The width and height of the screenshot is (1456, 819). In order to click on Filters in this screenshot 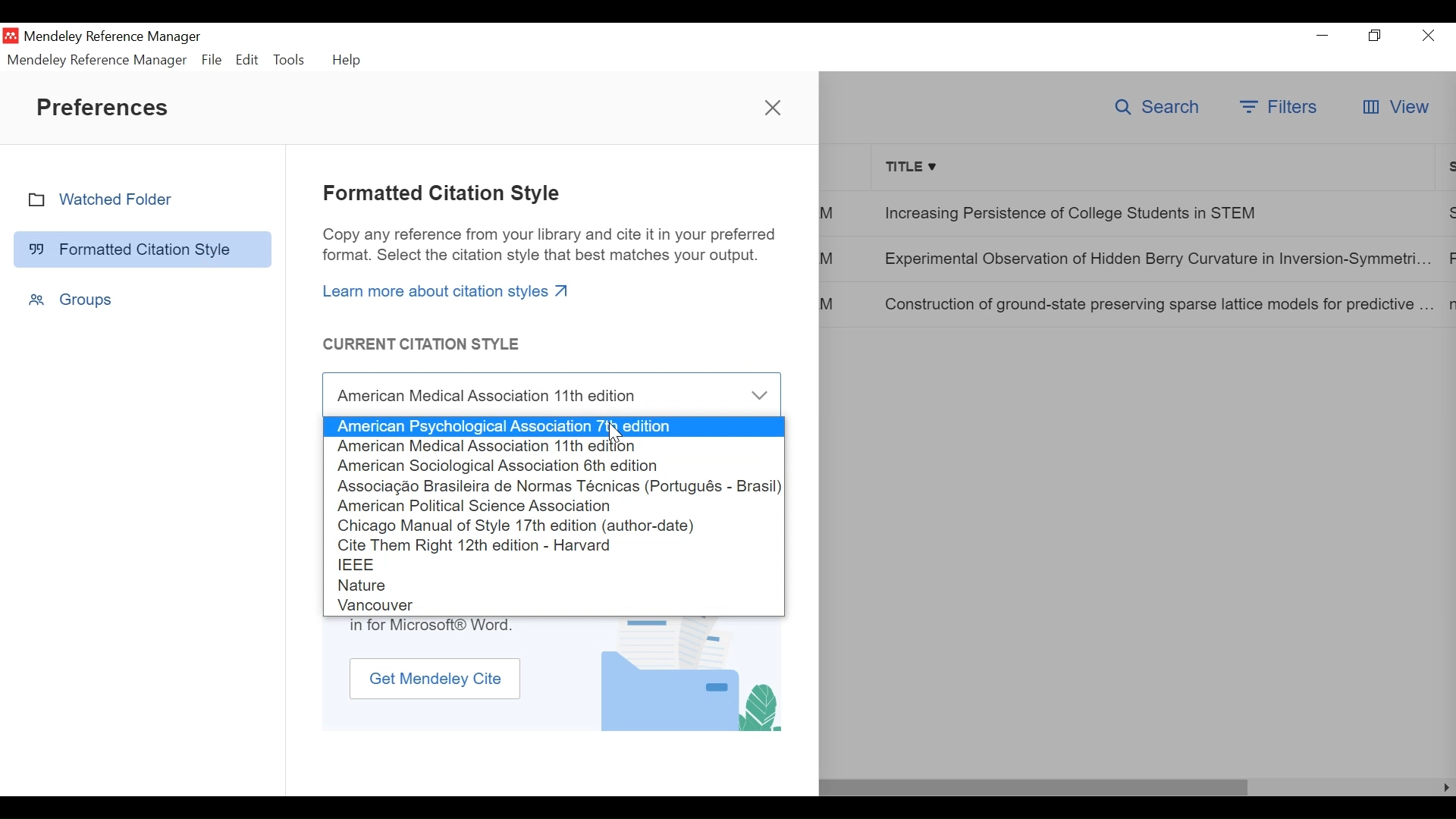, I will do `click(1280, 108)`.